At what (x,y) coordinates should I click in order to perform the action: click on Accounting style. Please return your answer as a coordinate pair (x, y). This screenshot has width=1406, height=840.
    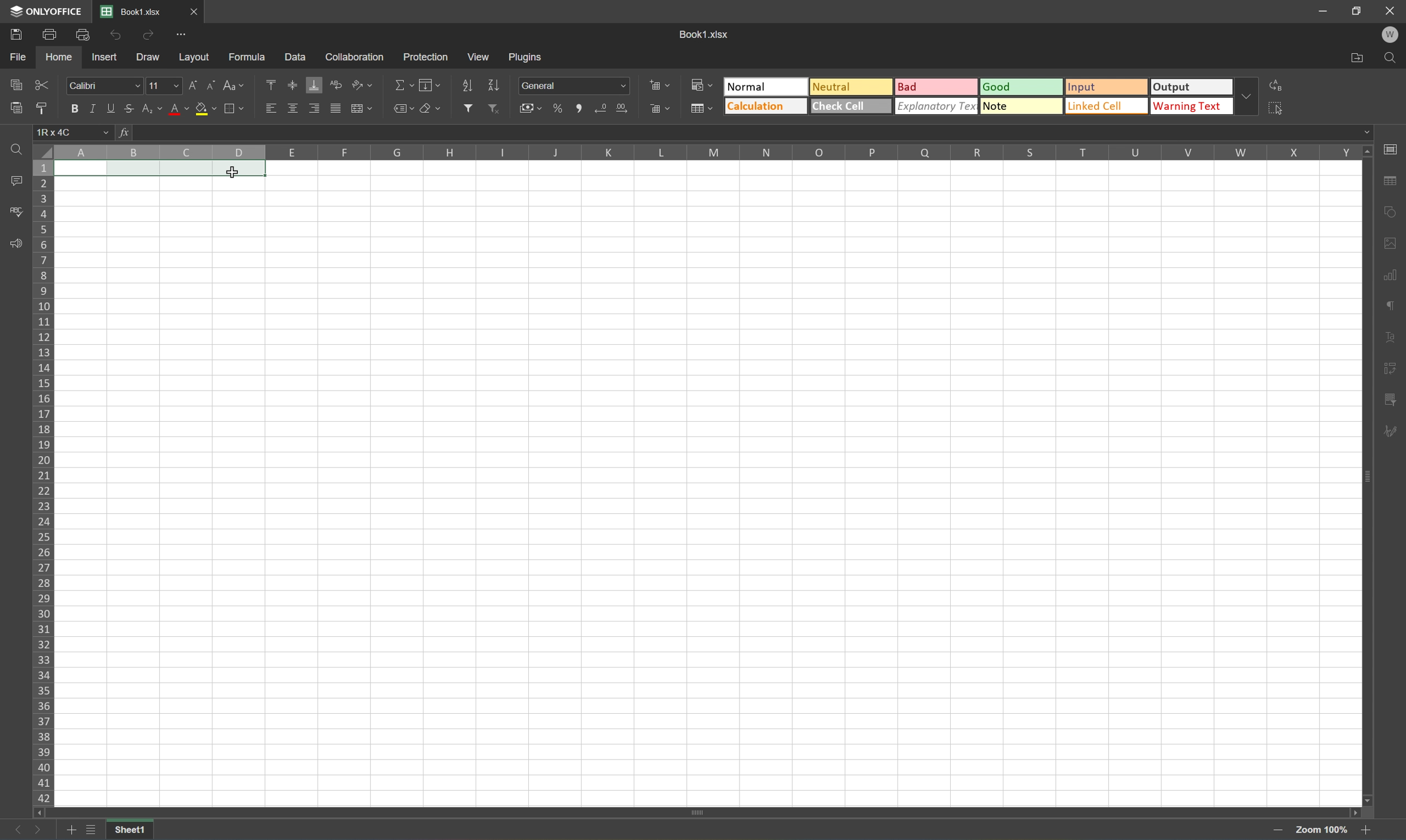
    Looking at the image, I should click on (533, 108).